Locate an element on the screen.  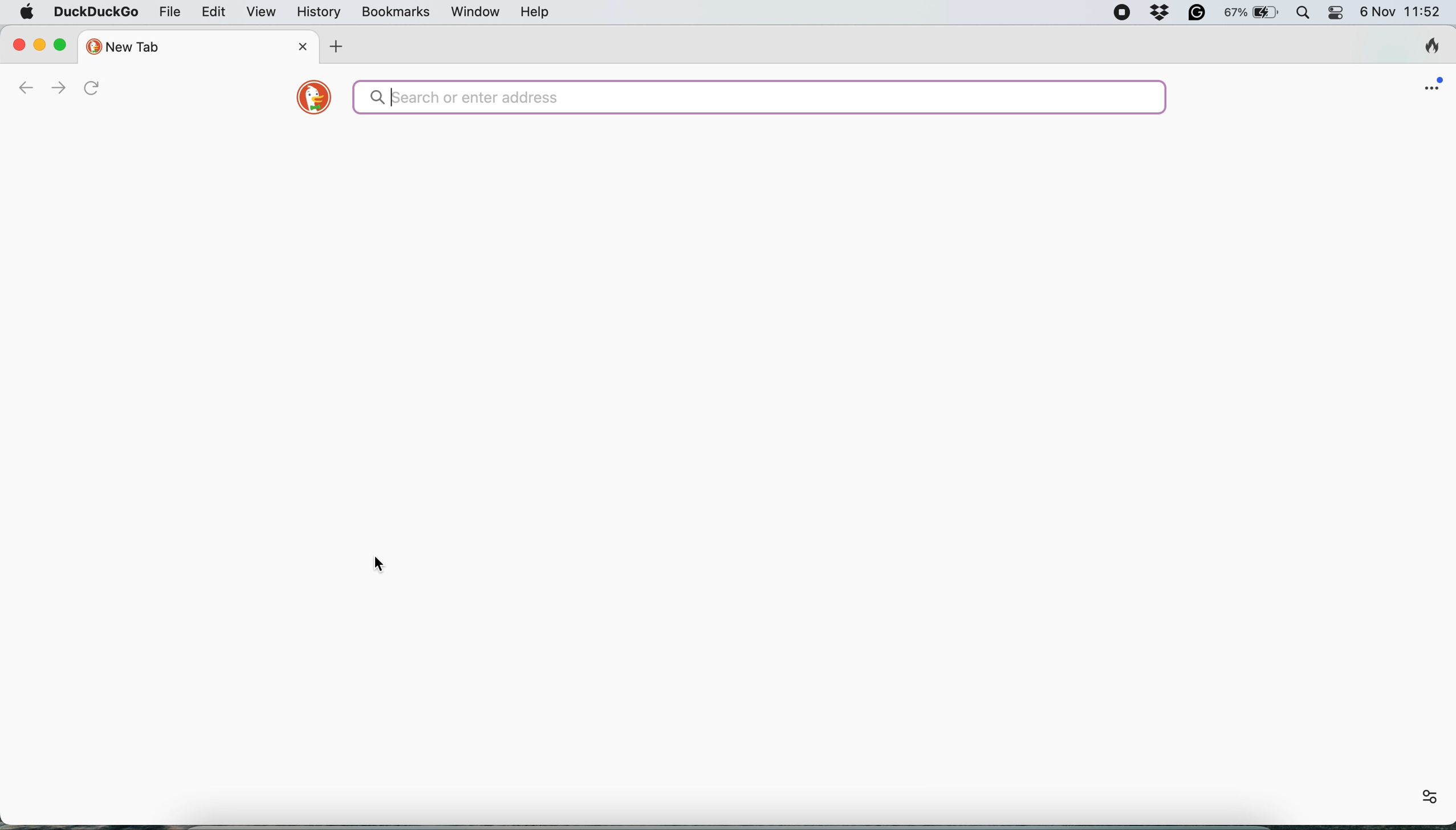
history is located at coordinates (317, 12).